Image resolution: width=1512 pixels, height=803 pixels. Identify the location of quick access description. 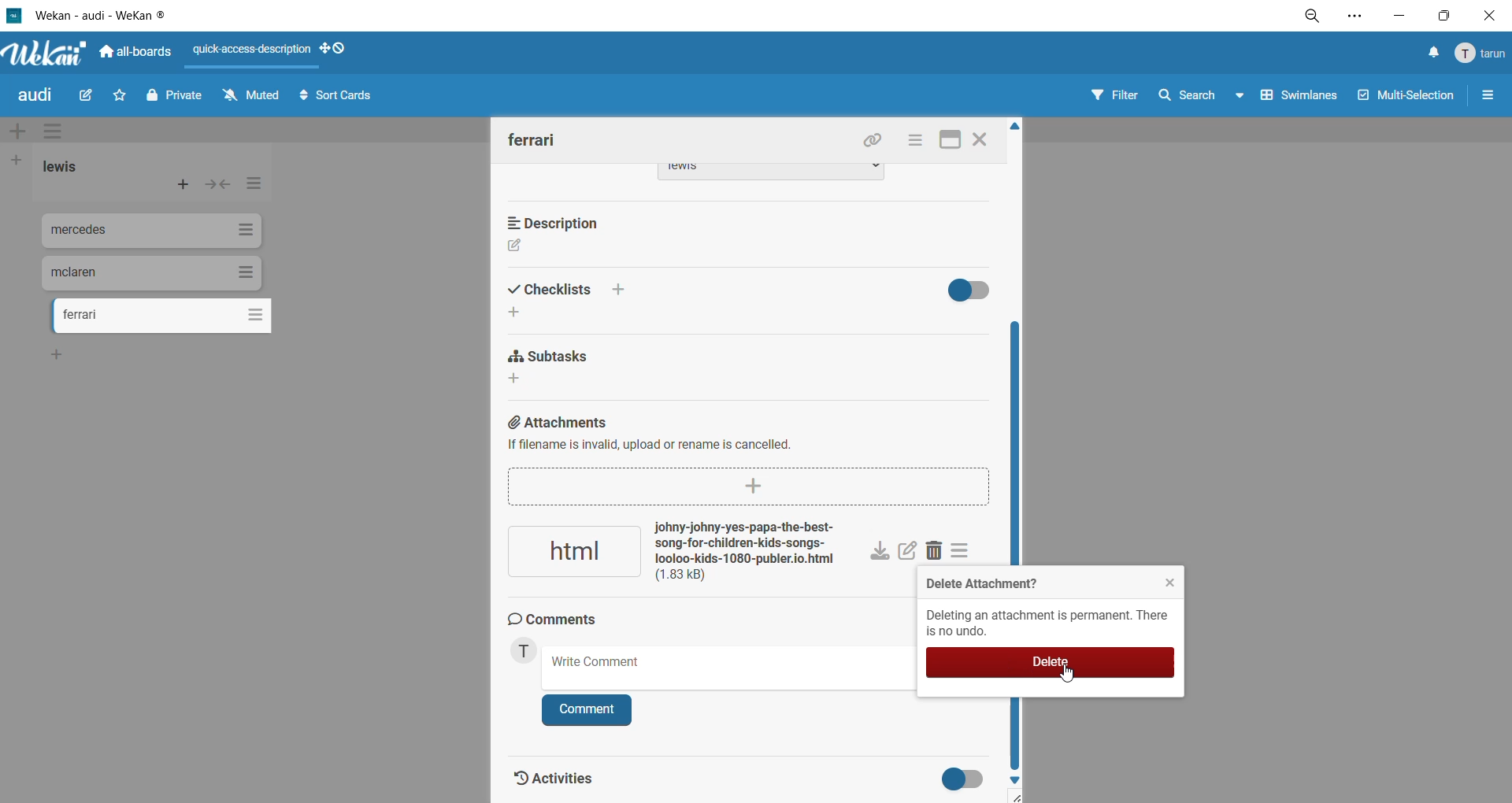
(254, 52).